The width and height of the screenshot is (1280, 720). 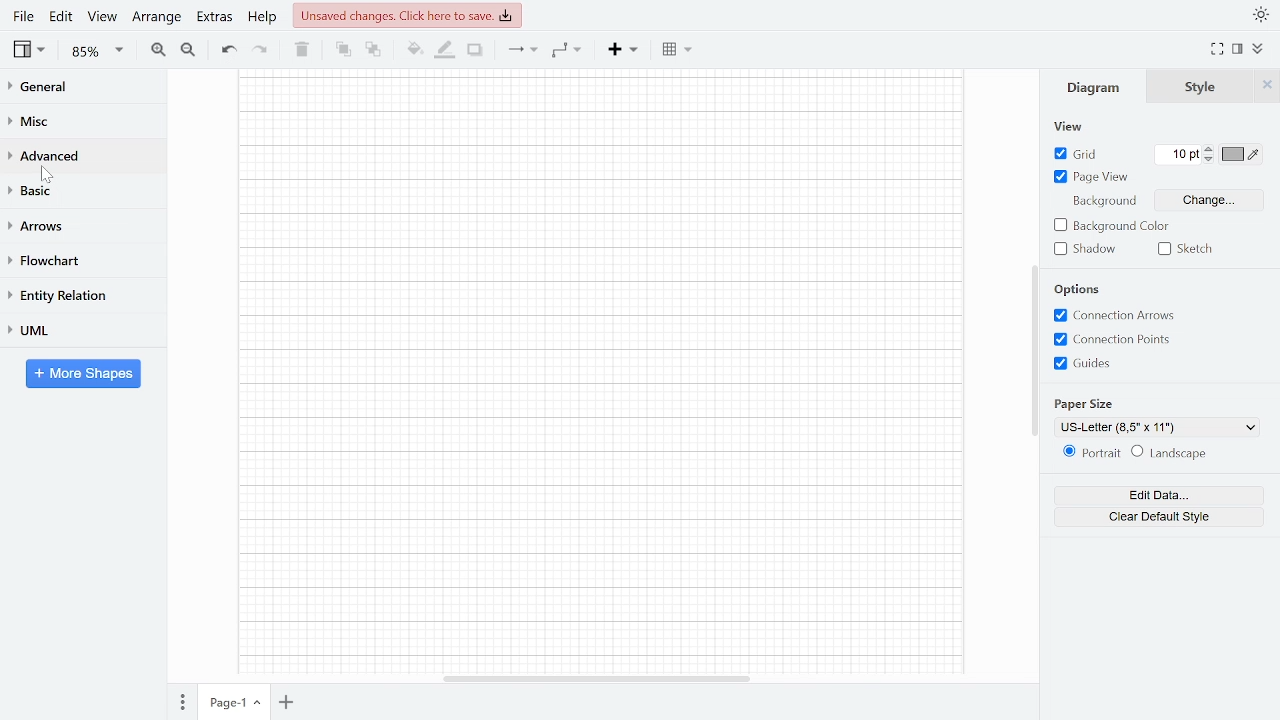 What do you see at coordinates (1159, 428) in the screenshot?
I see `US-Letter (8,5" x 11") - current page view` at bounding box center [1159, 428].